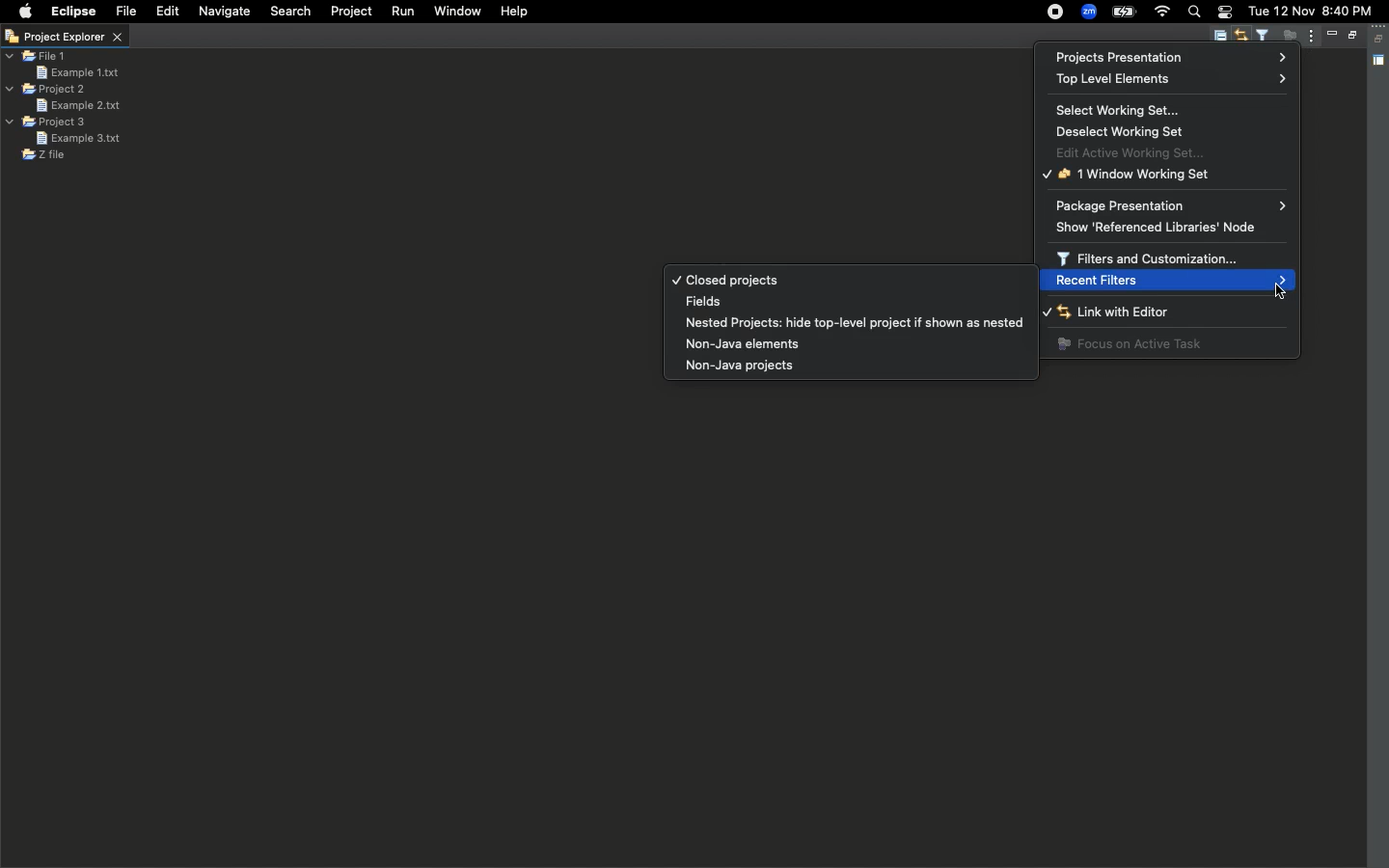 Image resolution: width=1389 pixels, height=868 pixels. What do you see at coordinates (1171, 204) in the screenshot?
I see `Packaging presentation` at bounding box center [1171, 204].